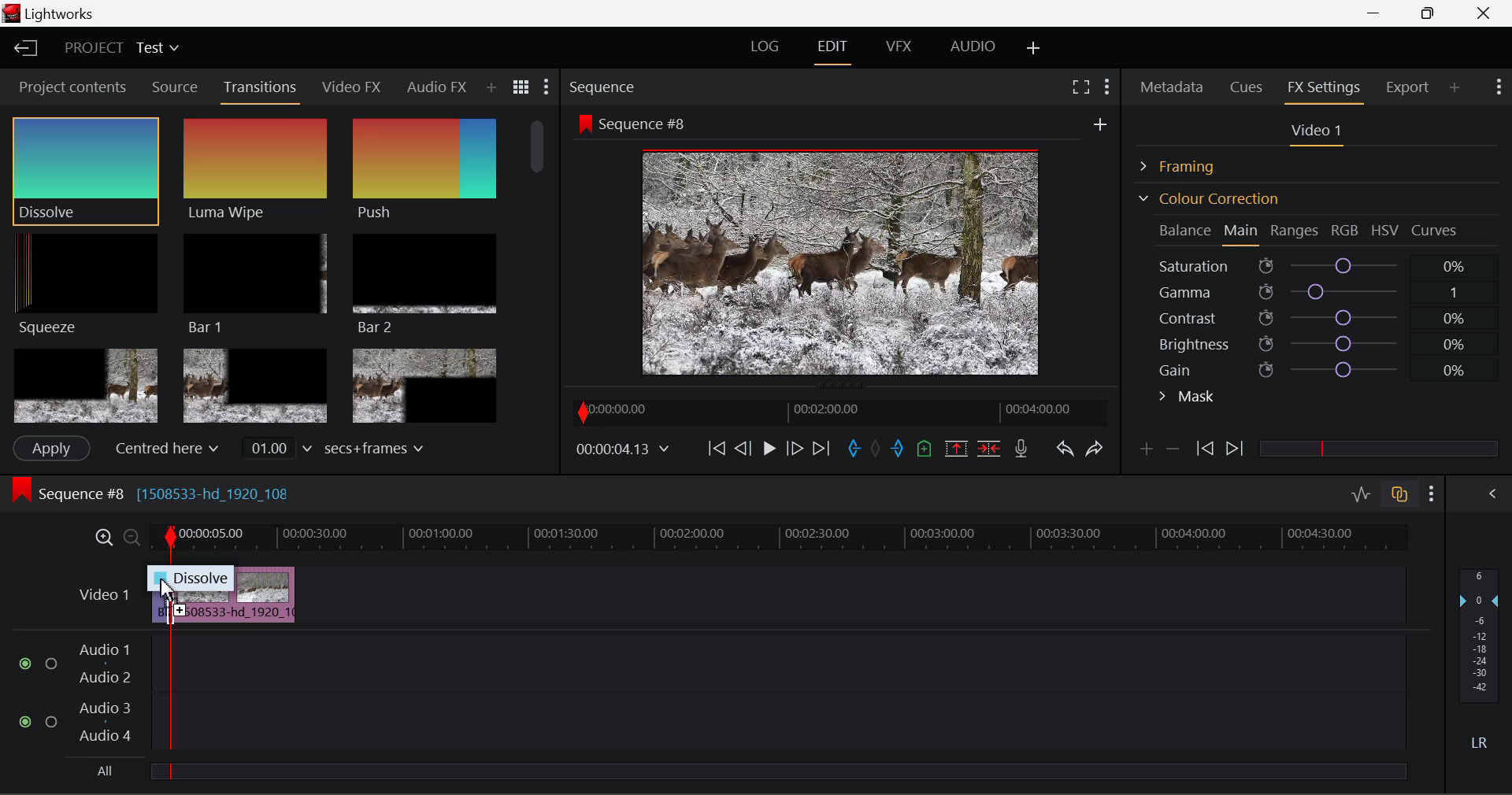  I want to click on Undo, so click(1064, 452).